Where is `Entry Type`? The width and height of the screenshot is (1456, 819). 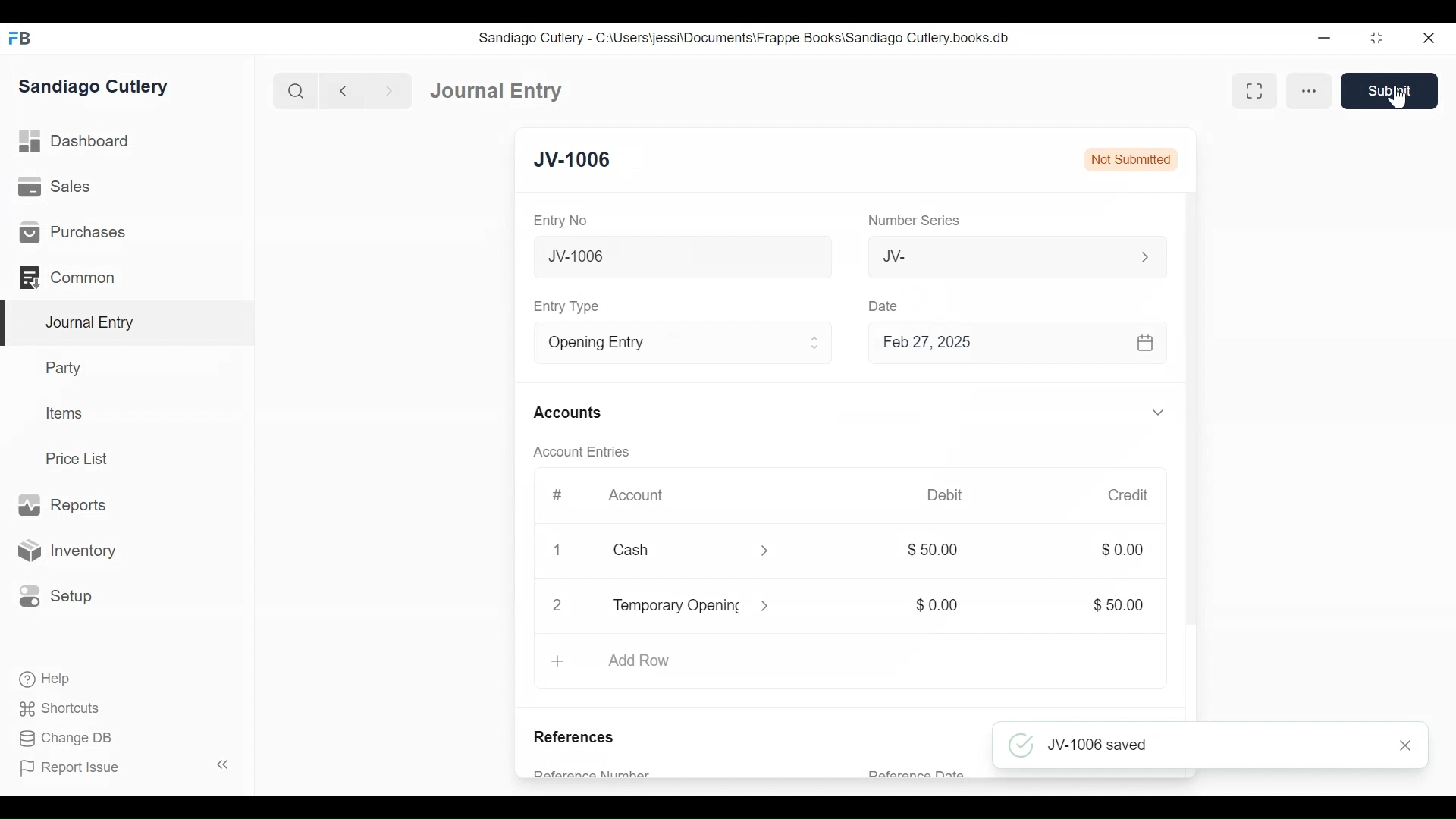 Entry Type is located at coordinates (663, 343).